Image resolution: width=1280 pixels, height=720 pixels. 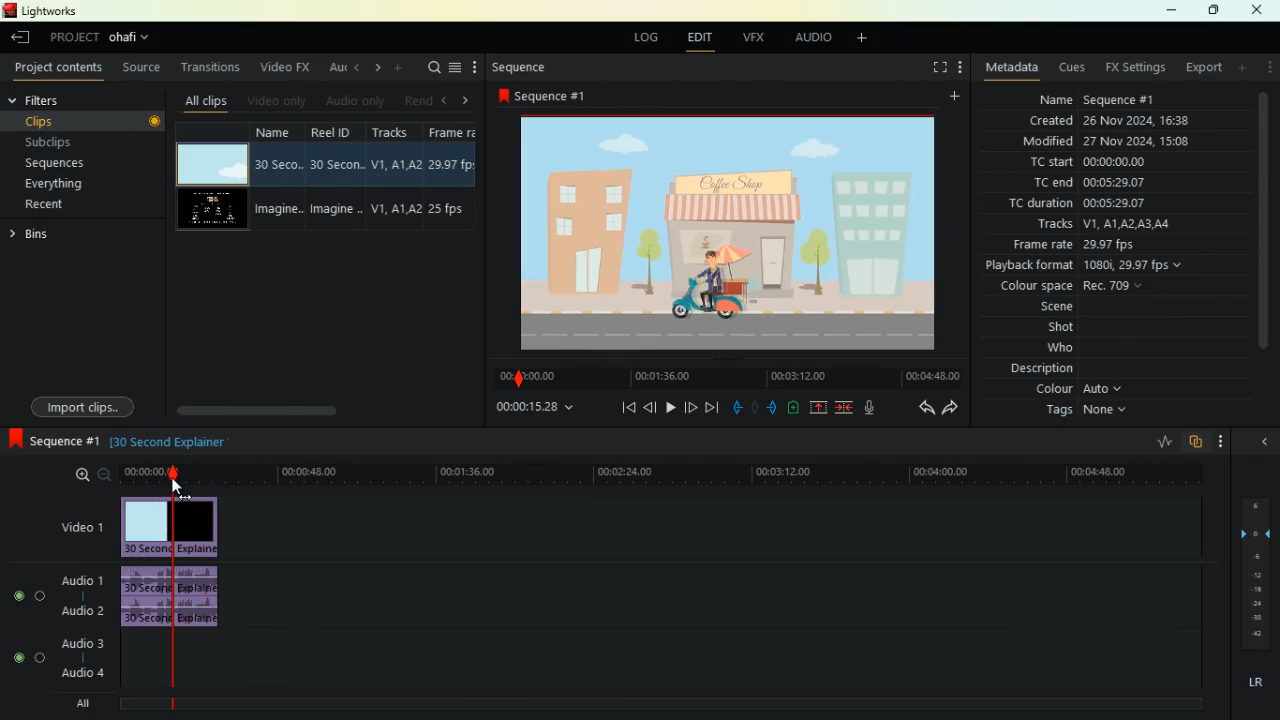 What do you see at coordinates (694, 37) in the screenshot?
I see `edit` at bounding box center [694, 37].